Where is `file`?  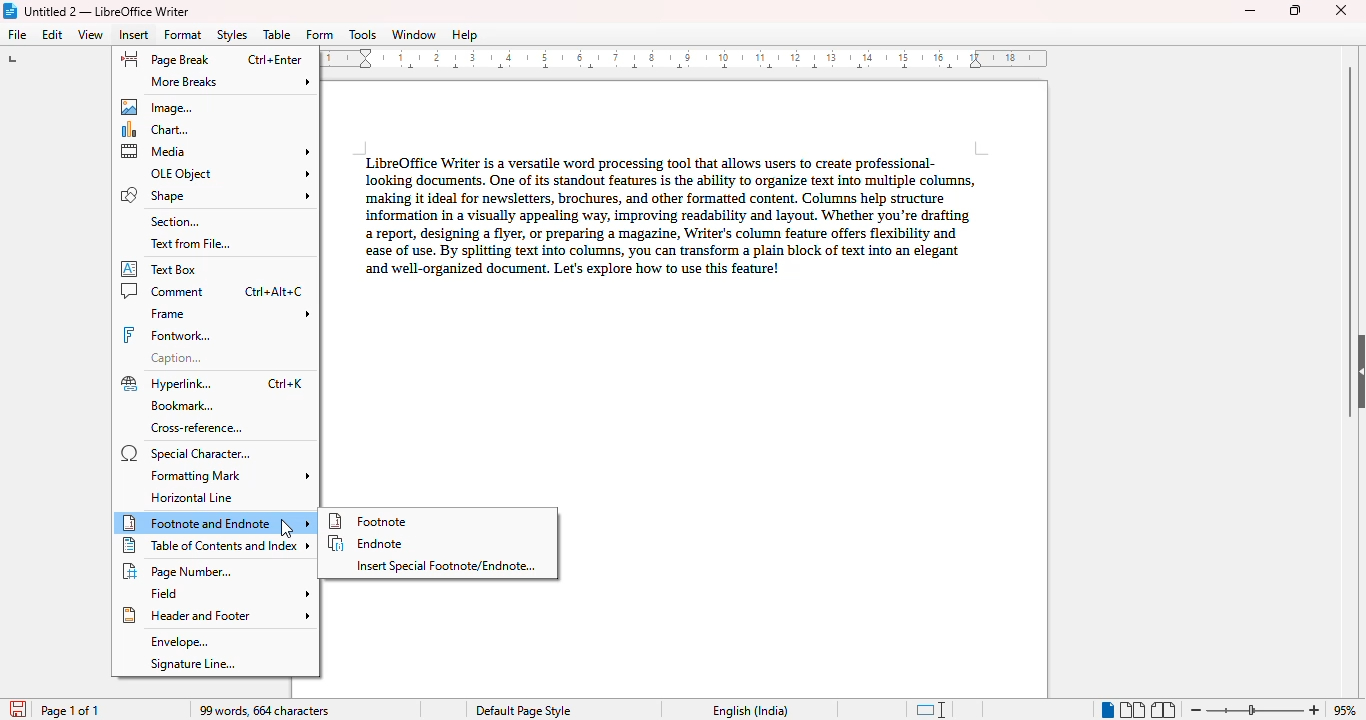 file is located at coordinates (18, 34).